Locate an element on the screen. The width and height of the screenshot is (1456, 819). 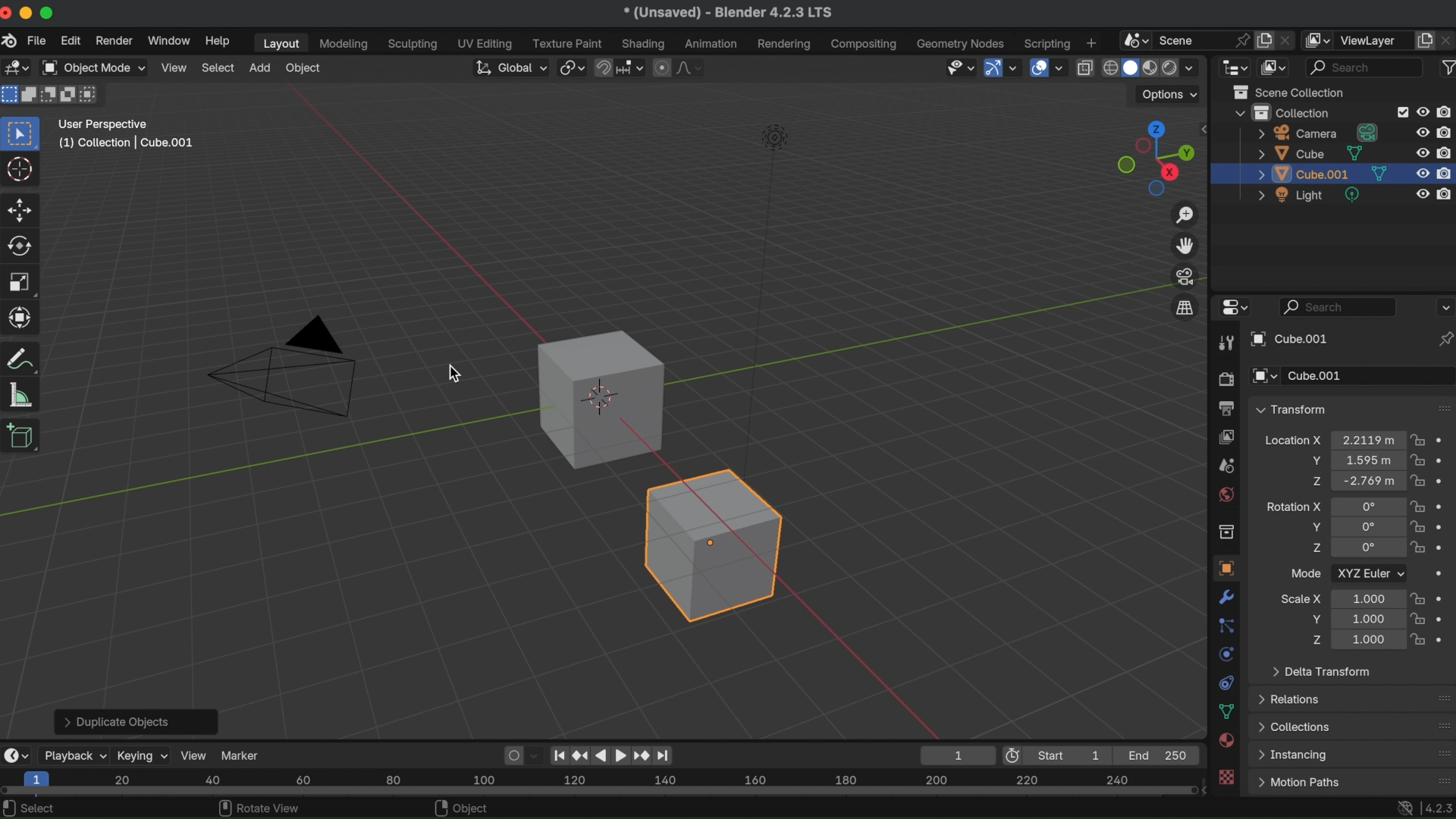
rotation X is located at coordinates (1293, 504).